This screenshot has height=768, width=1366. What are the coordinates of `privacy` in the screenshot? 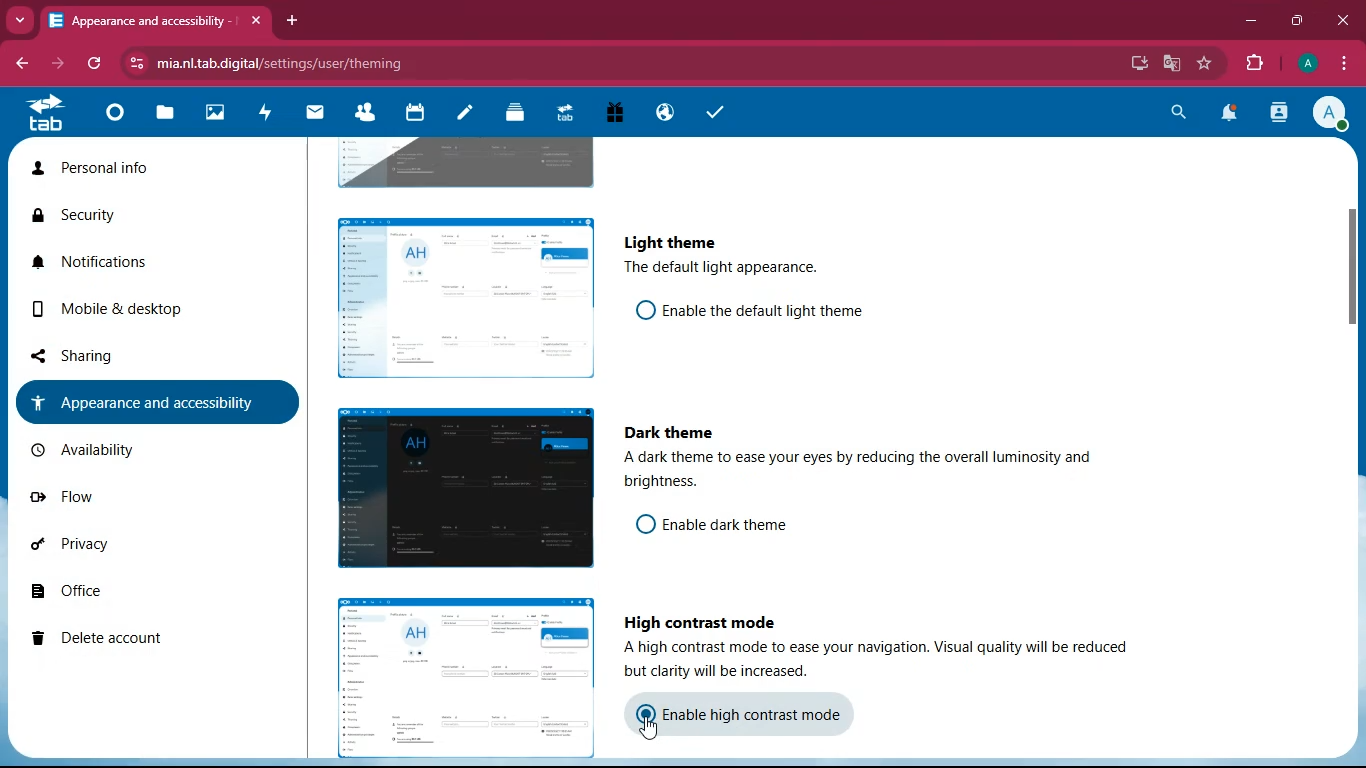 It's located at (117, 551).